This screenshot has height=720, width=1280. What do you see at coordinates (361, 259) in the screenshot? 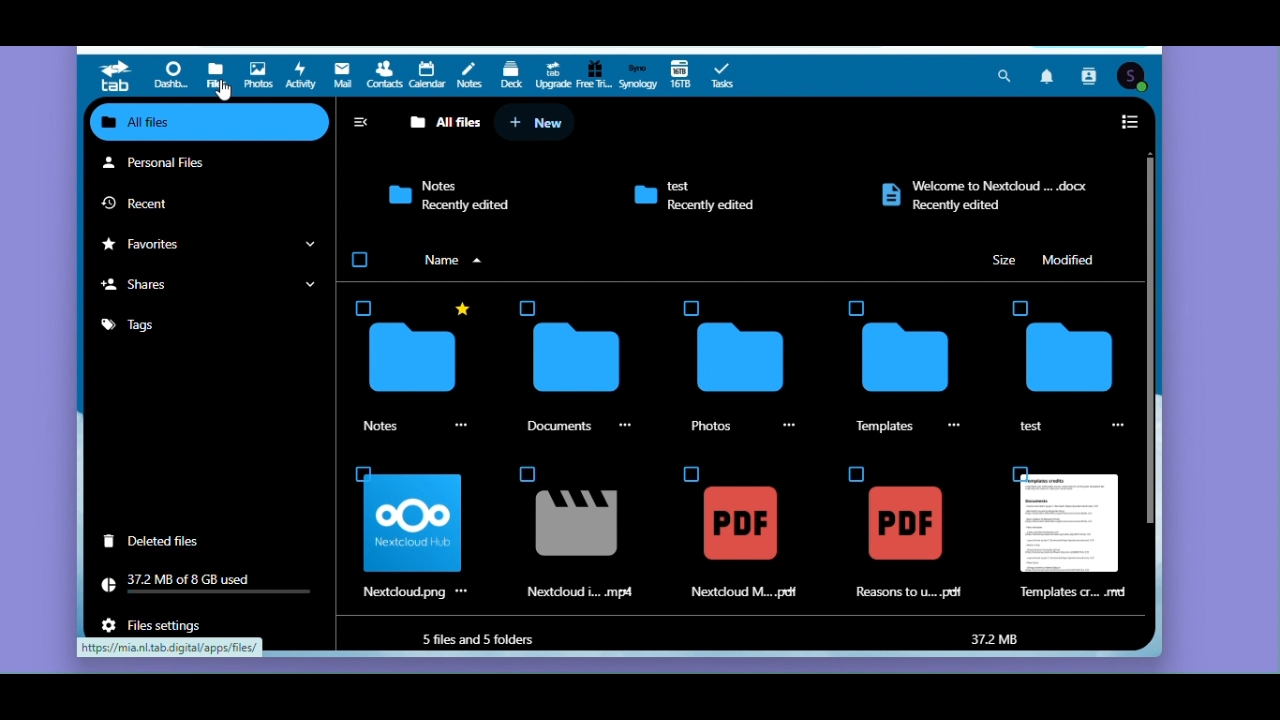
I see `Checkbox` at bounding box center [361, 259].